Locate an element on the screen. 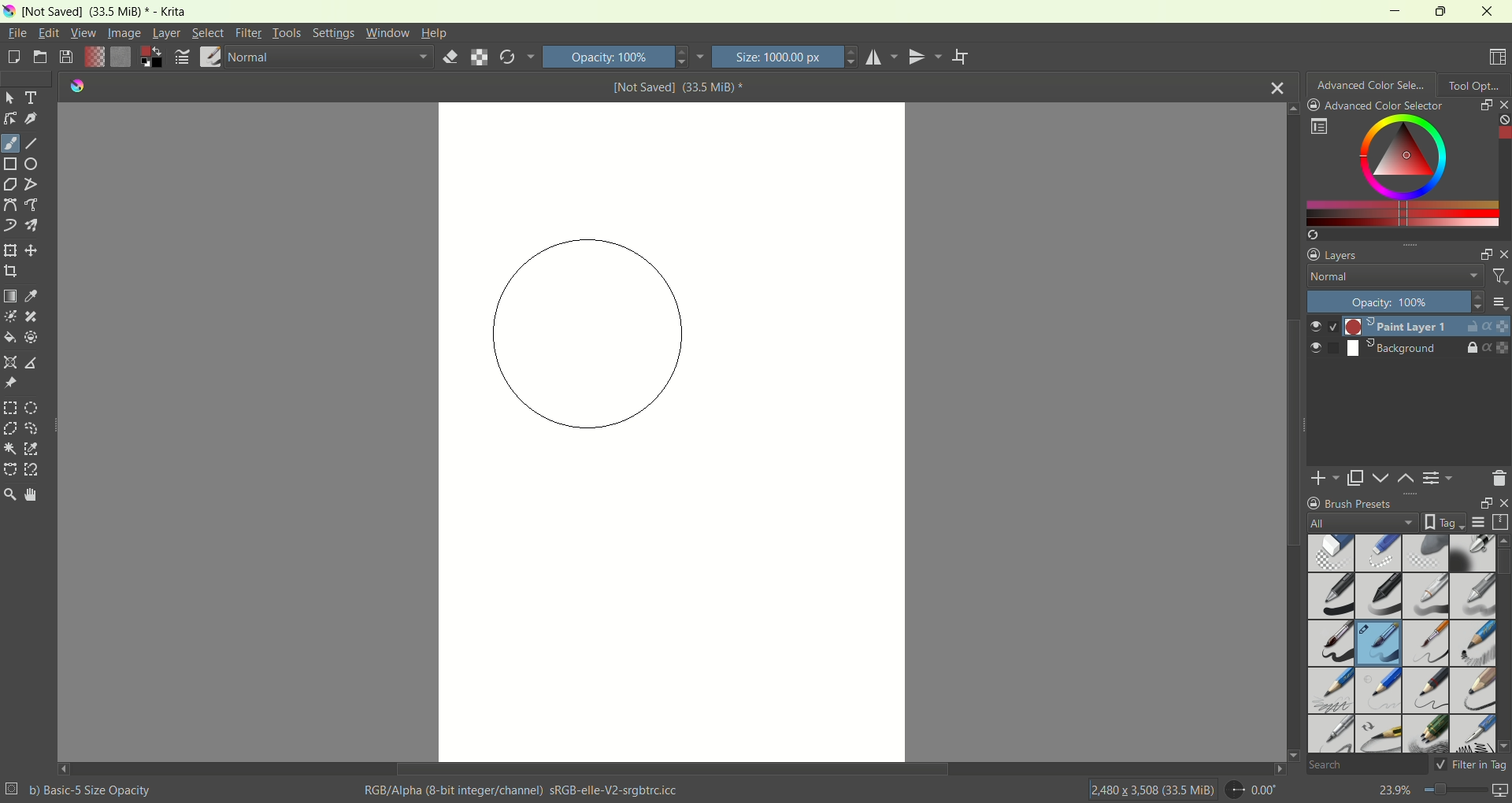 The width and height of the screenshot is (1512, 803). color selection is located at coordinates (1396, 169).